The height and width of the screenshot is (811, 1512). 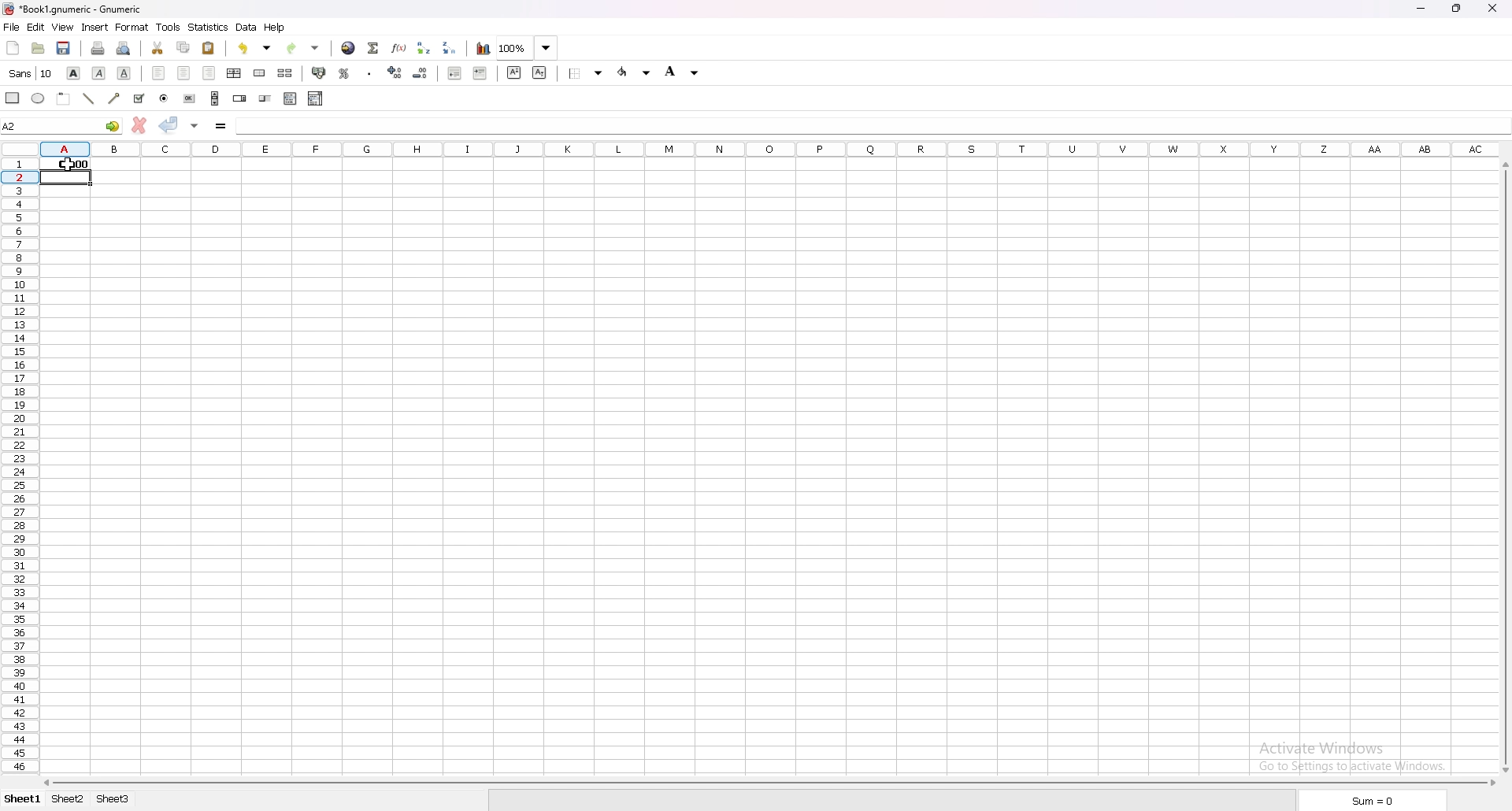 What do you see at coordinates (158, 47) in the screenshot?
I see `cut` at bounding box center [158, 47].